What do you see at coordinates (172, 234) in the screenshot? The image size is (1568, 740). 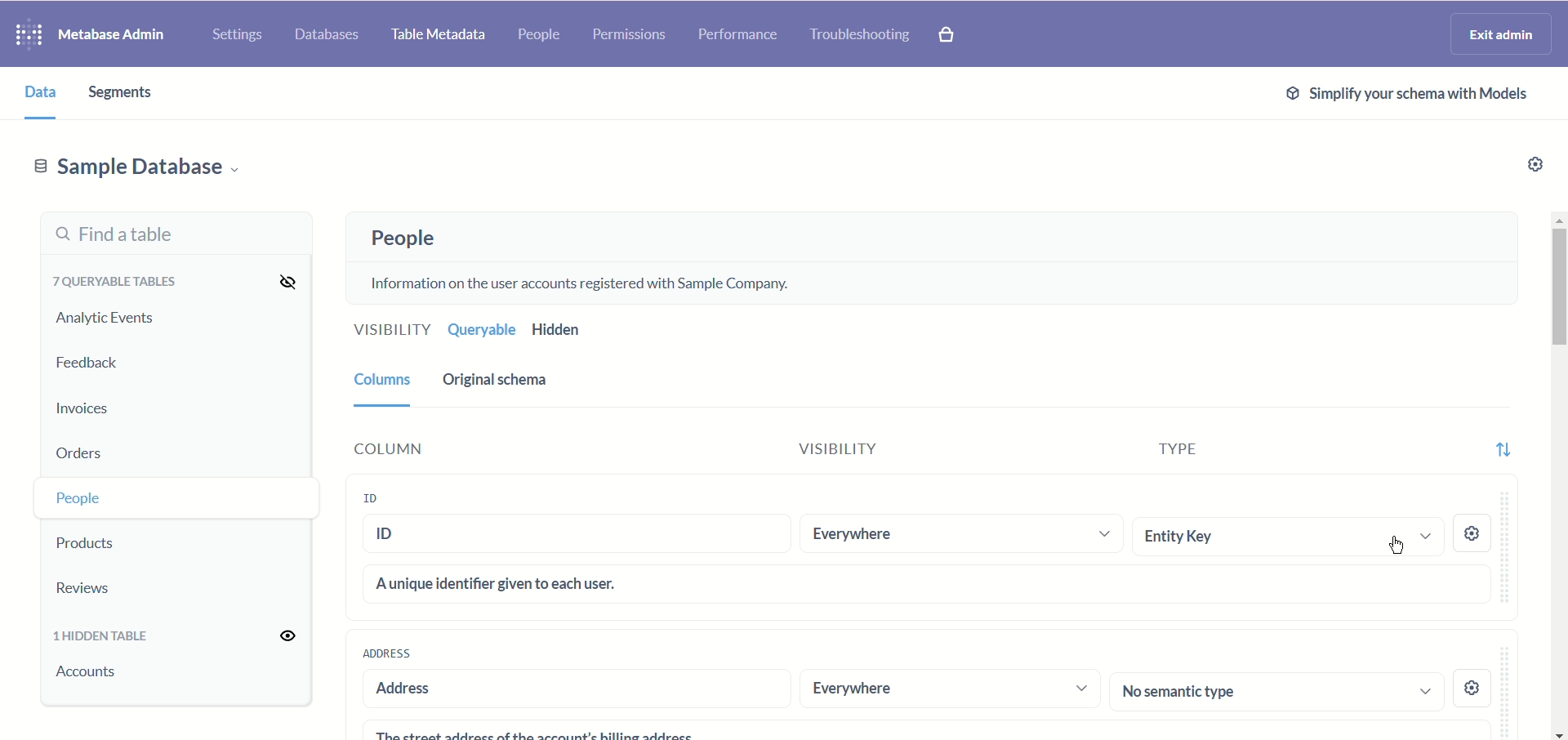 I see `Find a table` at bounding box center [172, 234].